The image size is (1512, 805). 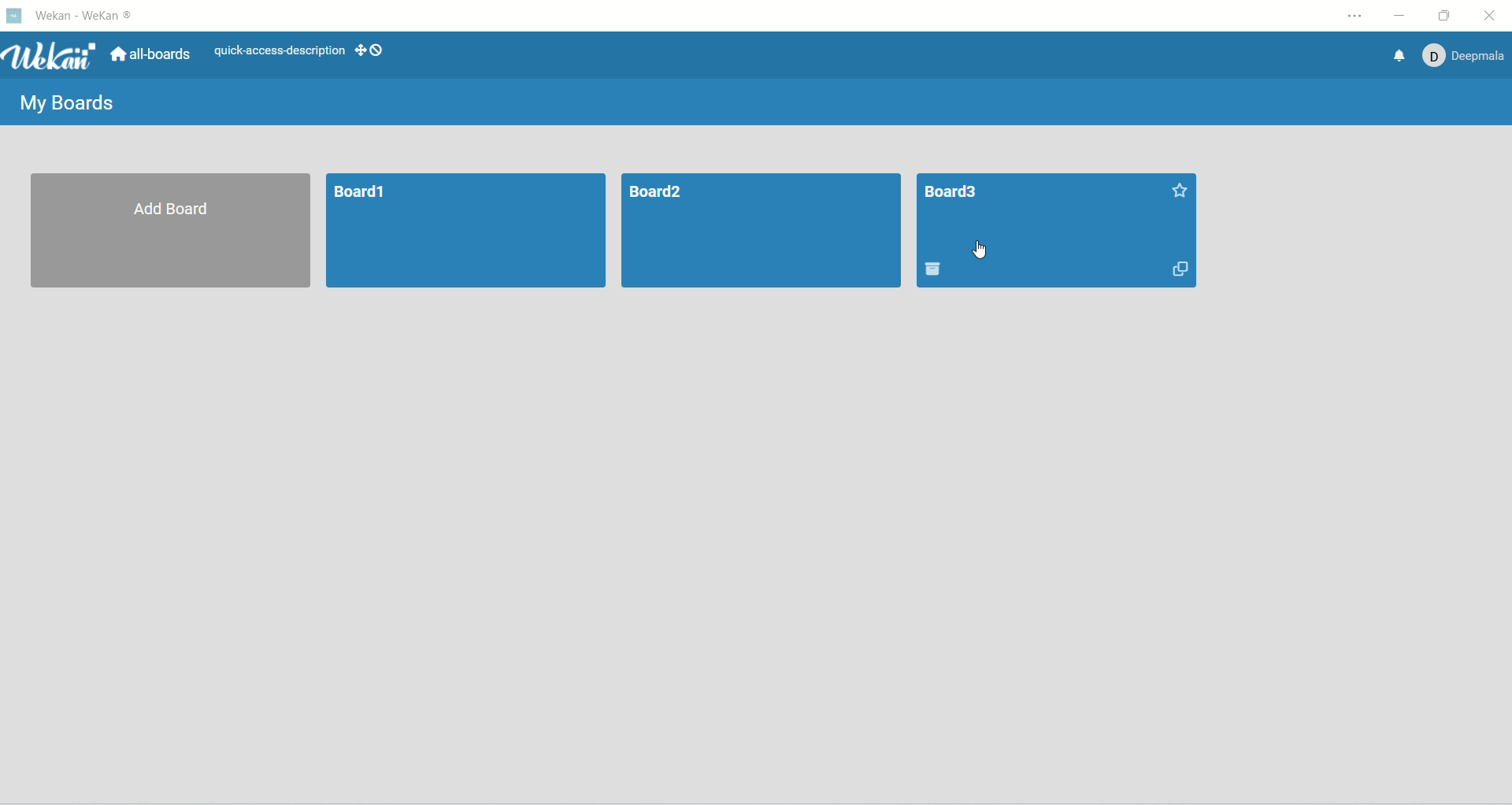 I want to click on all boards, so click(x=154, y=55).